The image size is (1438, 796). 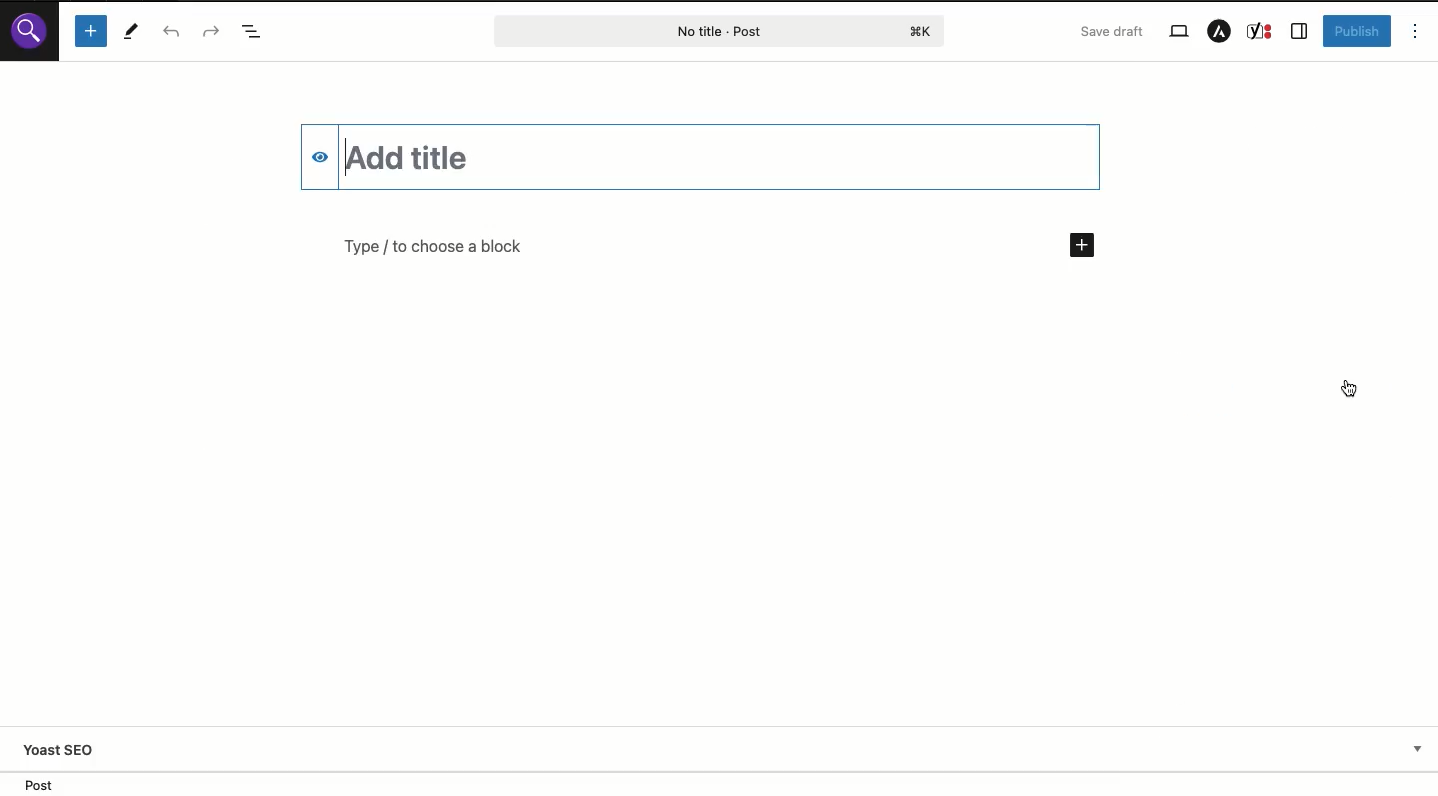 I want to click on Redo, so click(x=212, y=32).